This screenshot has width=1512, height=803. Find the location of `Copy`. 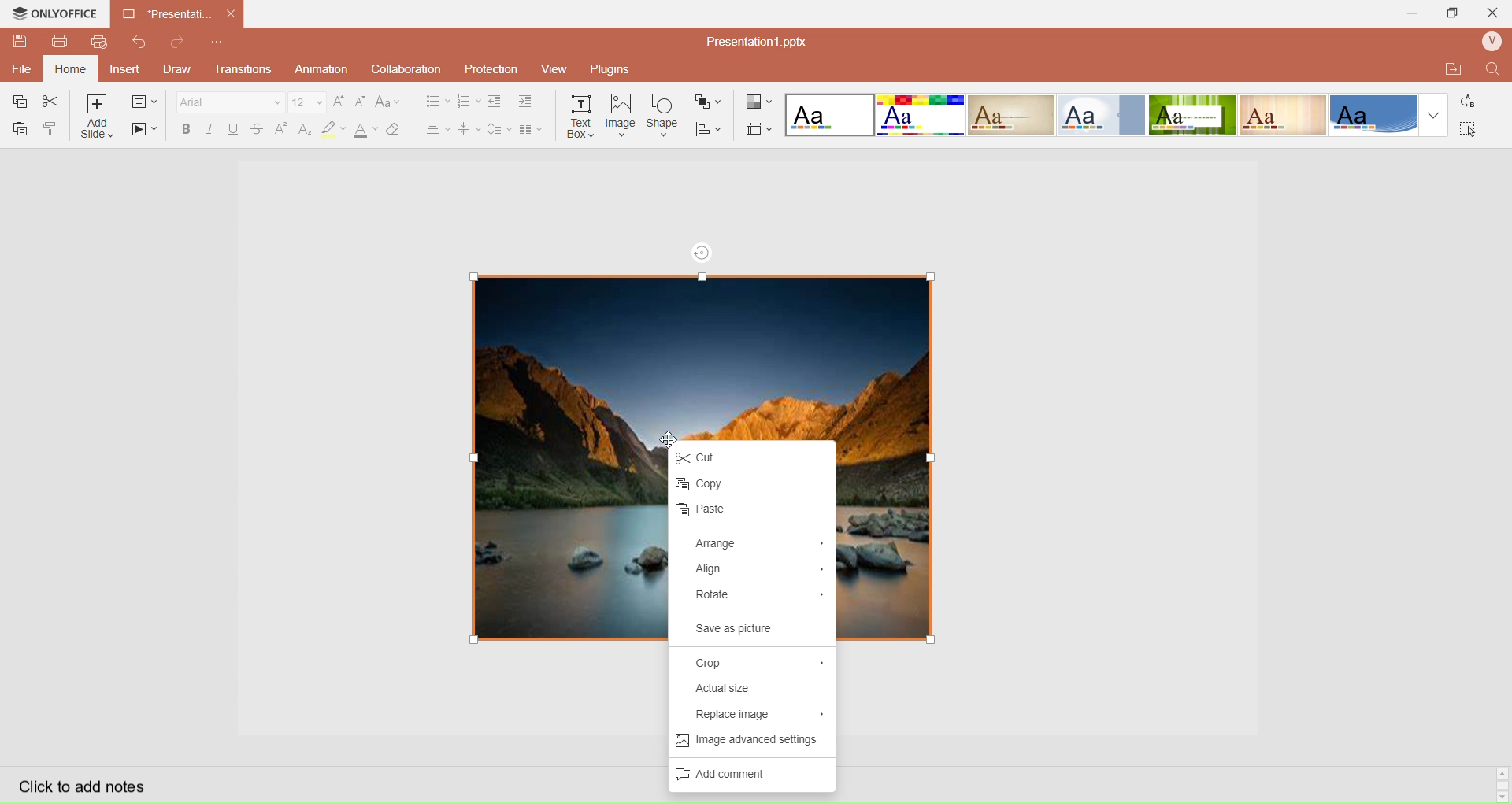

Copy is located at coordinates (748, 486).